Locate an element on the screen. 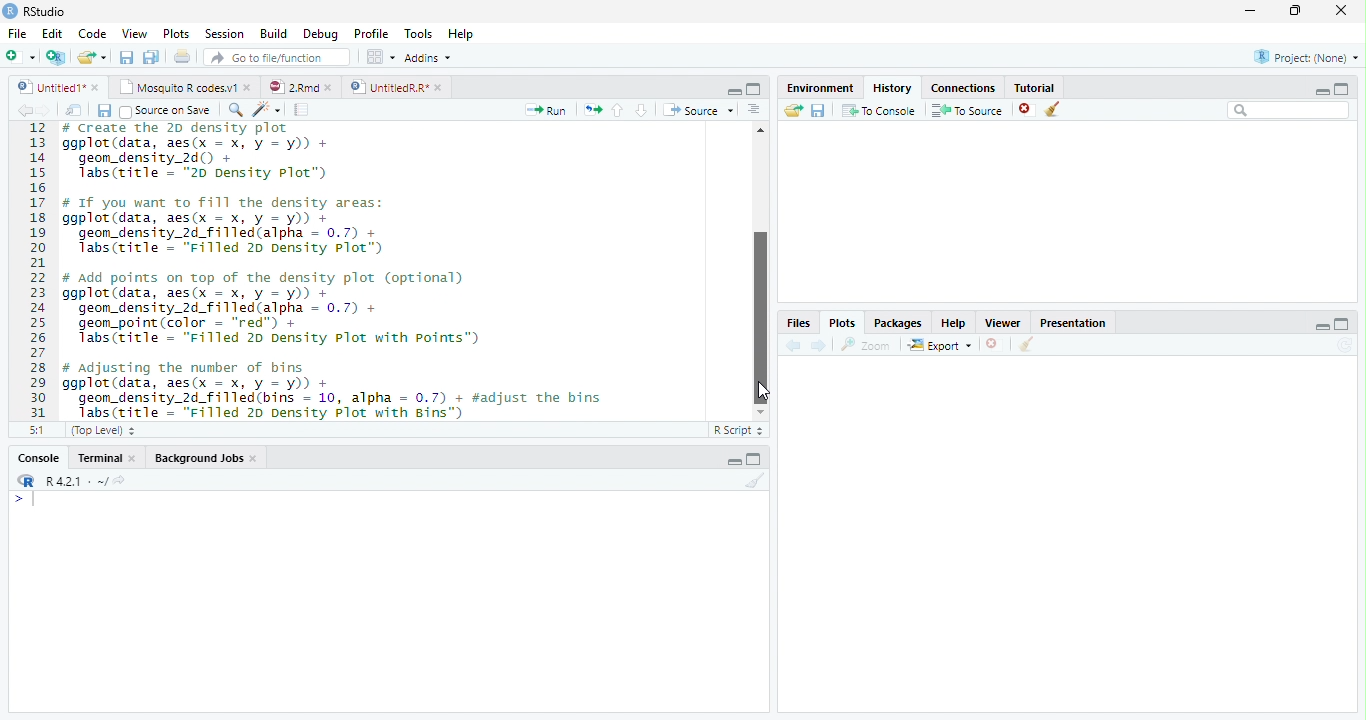 The width and height of the screenshot is (1366, 720). Session is located at coordinates (225, 34).